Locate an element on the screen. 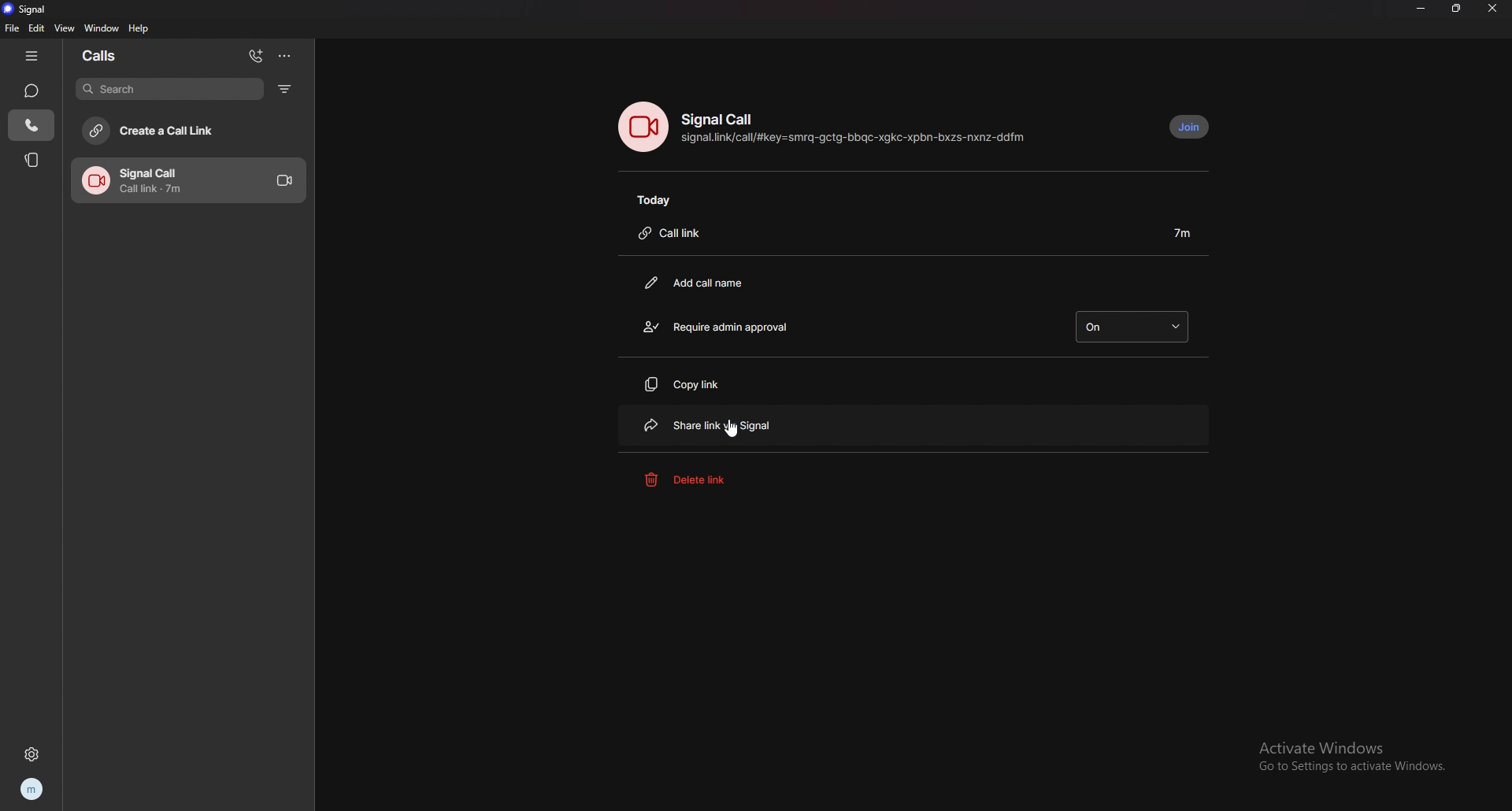  view is located at coordinates (64, 28).